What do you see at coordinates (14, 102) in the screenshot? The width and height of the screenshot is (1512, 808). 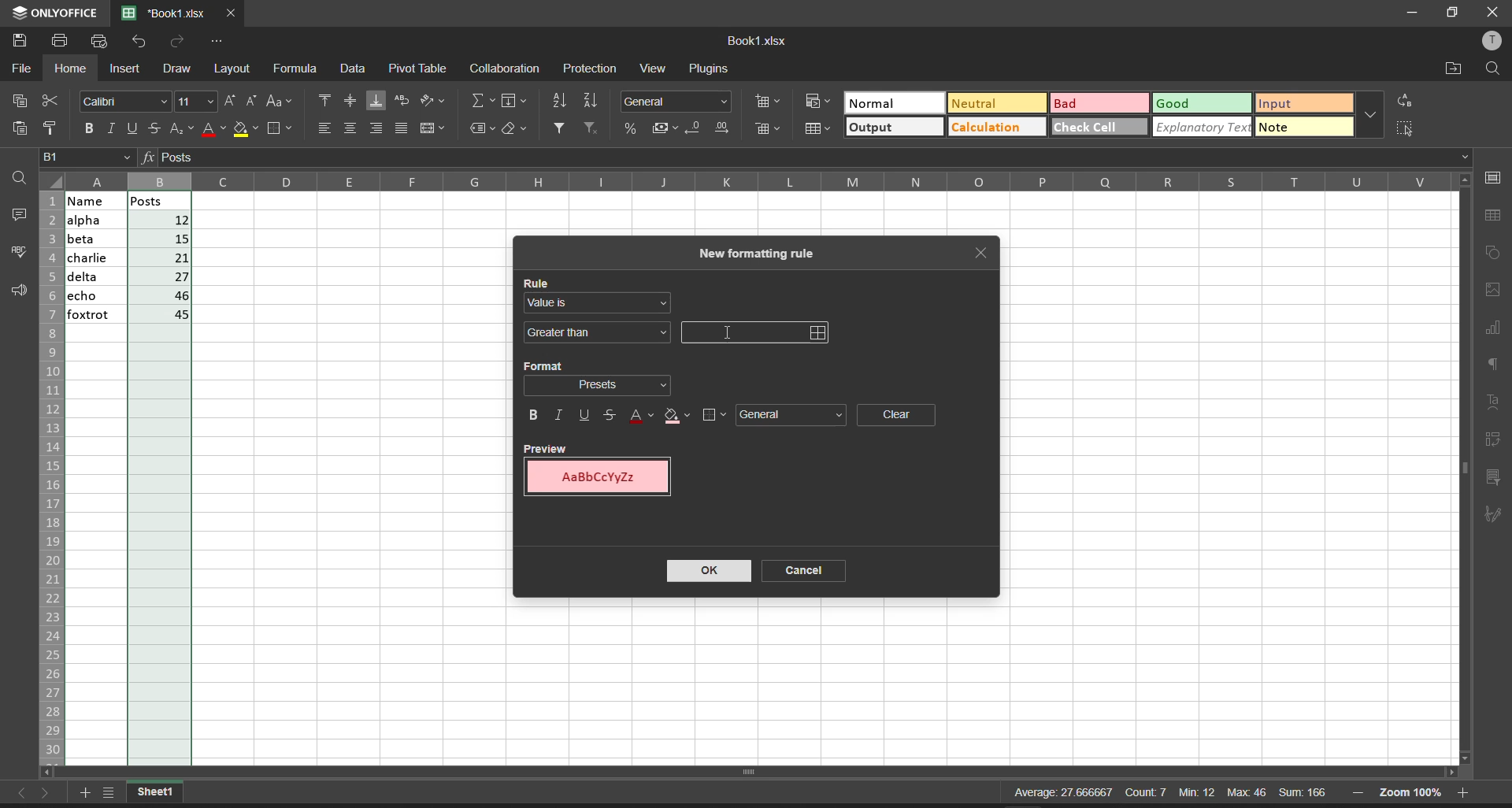 I see `copy` at bounding box center [14, 102].